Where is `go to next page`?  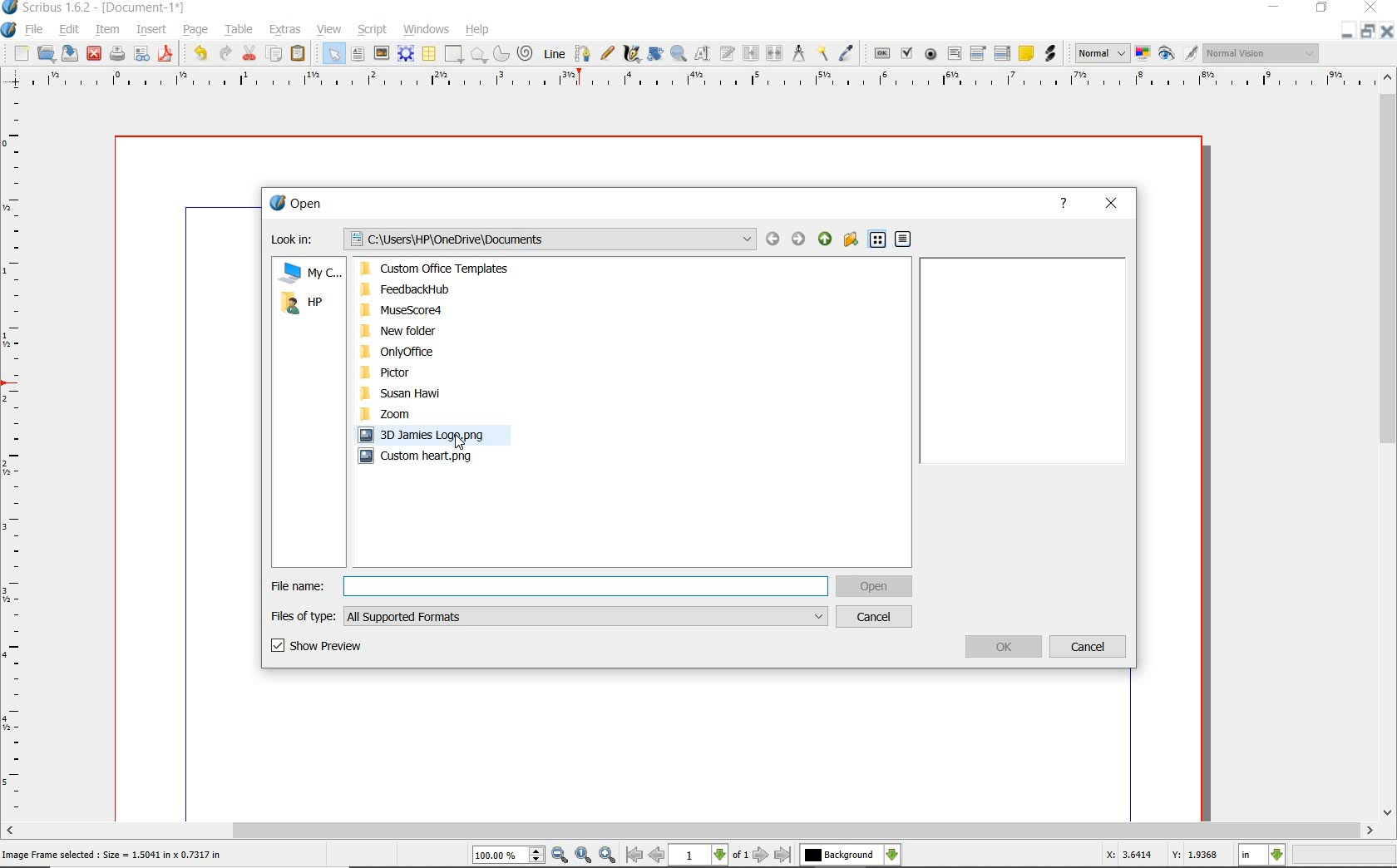 go to next page is located at coordinates (761, 855).